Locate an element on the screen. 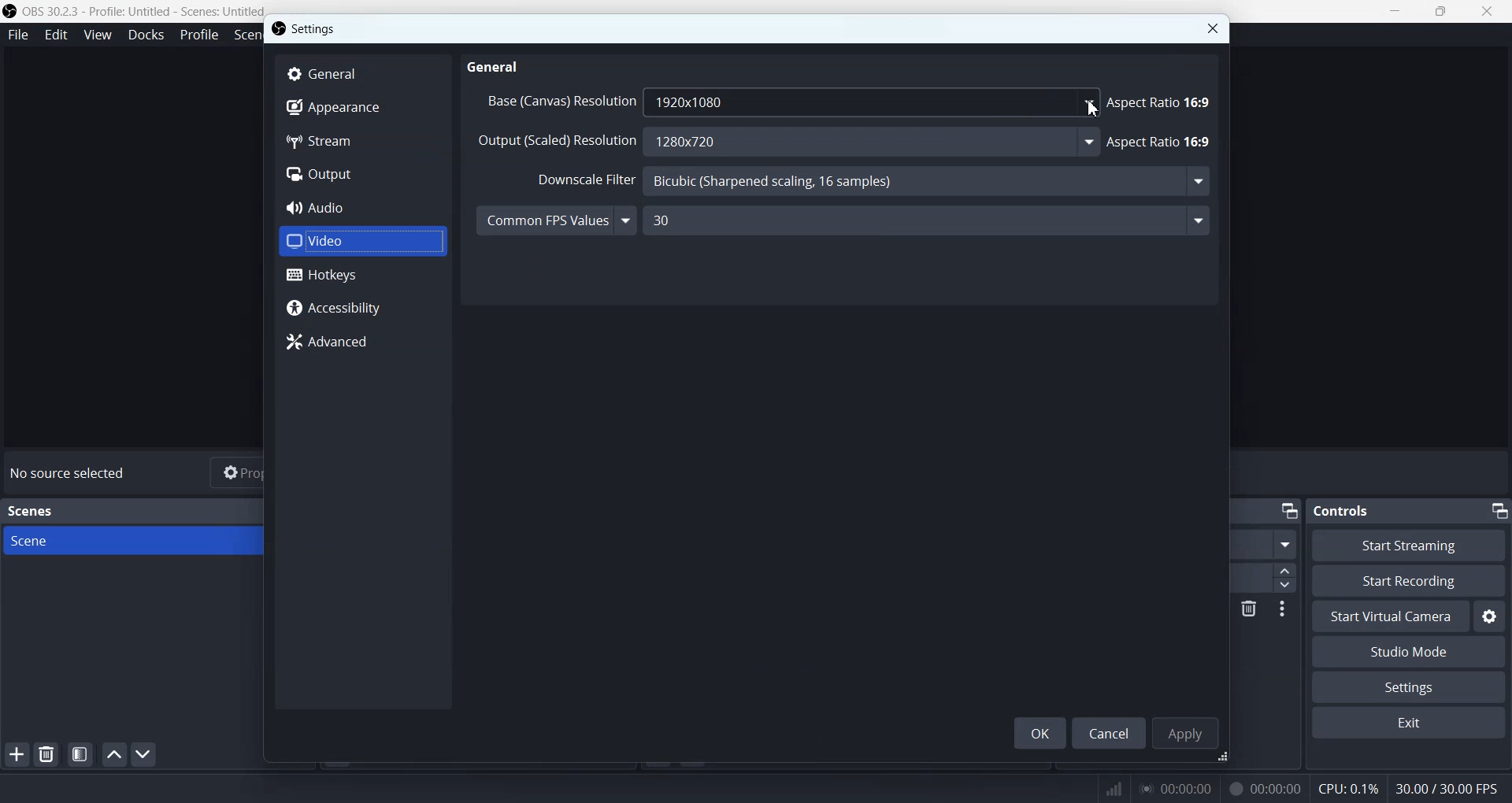 The height and width of the screenshot is (803, 1512). Settings is located at coordinates (1409, 687).